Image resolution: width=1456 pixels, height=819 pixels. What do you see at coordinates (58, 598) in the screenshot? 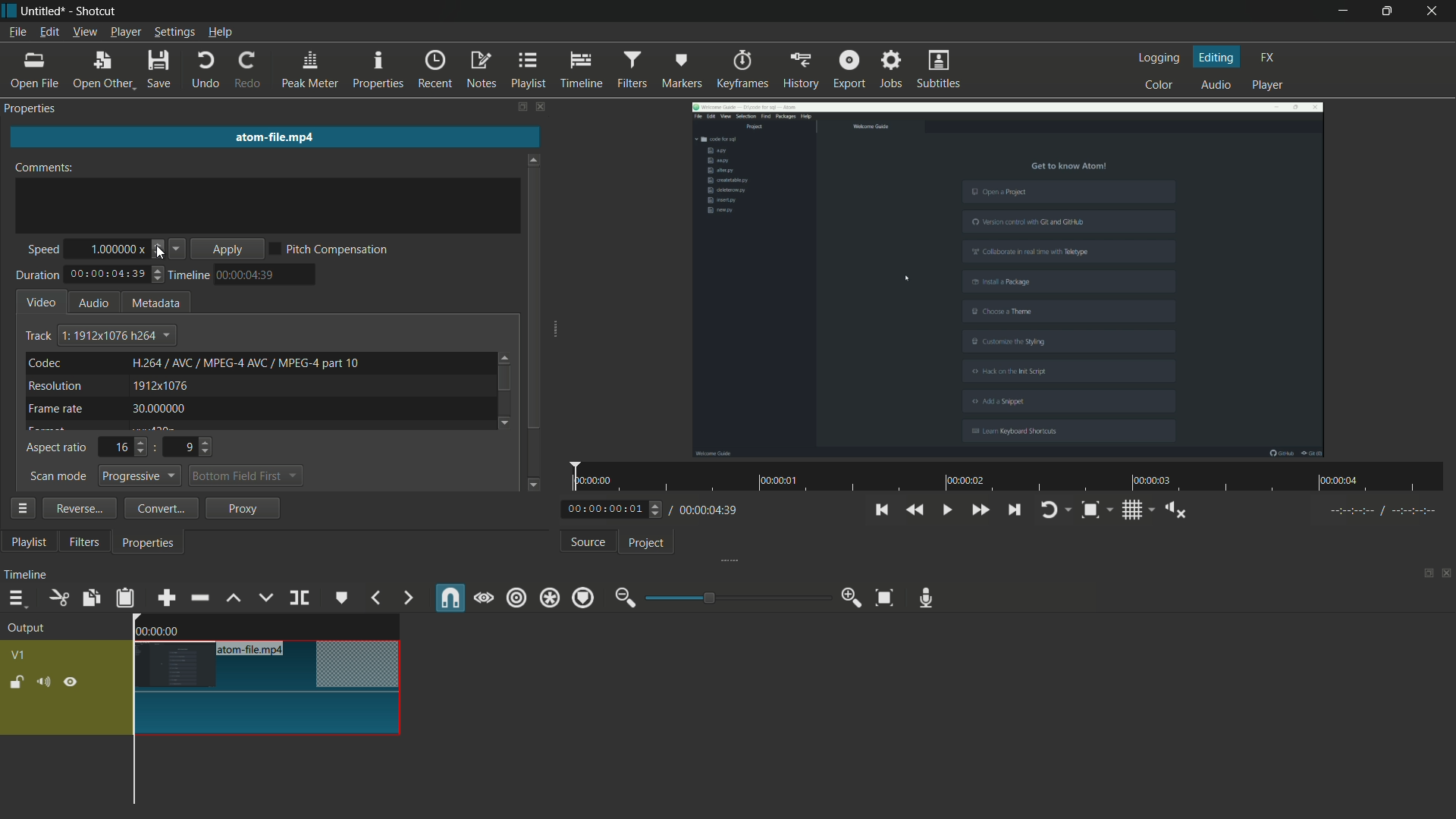
I see `cut` at bounding box center [58, 598].